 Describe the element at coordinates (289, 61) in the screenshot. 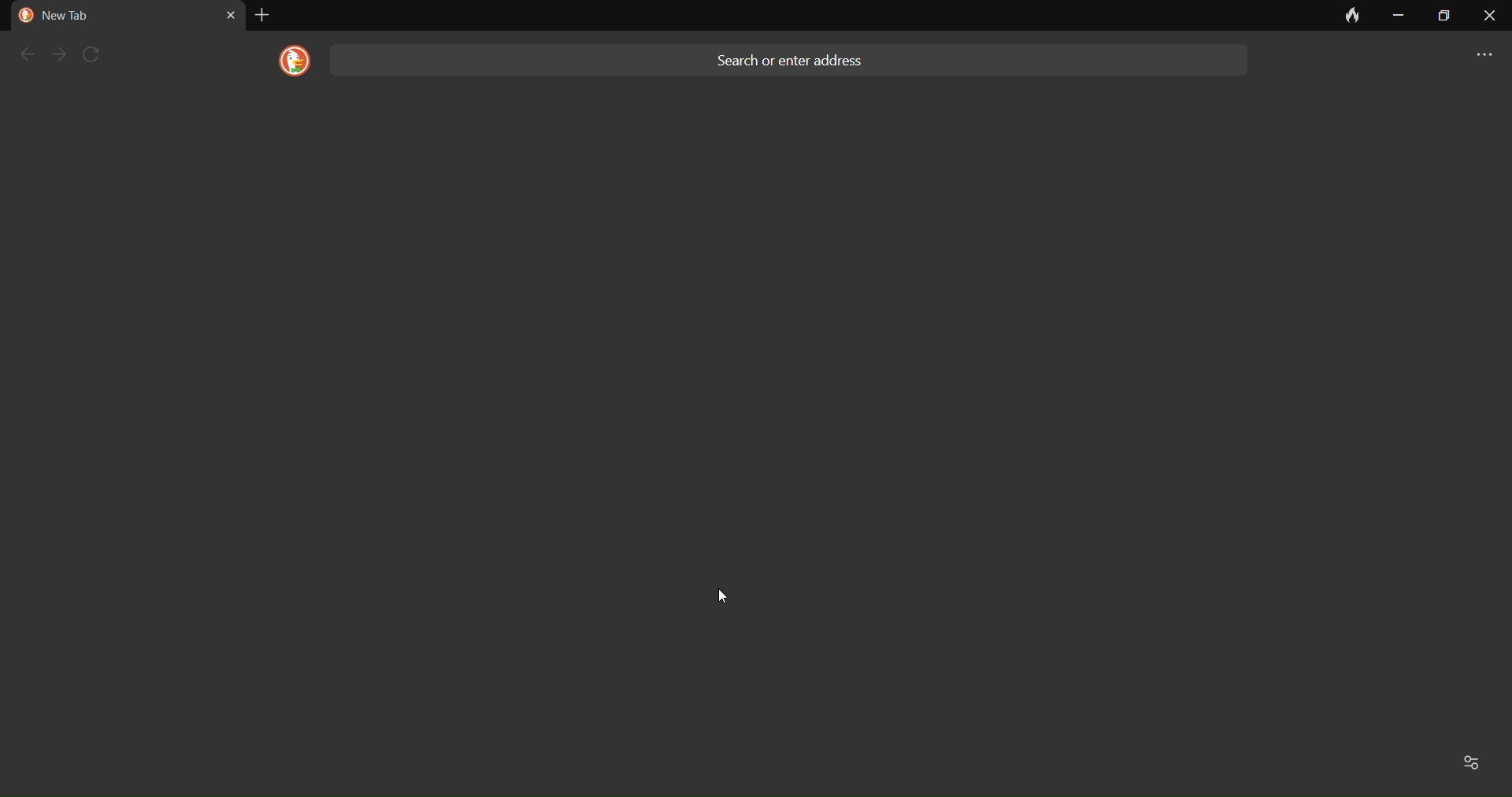

I see `logo` at that location.